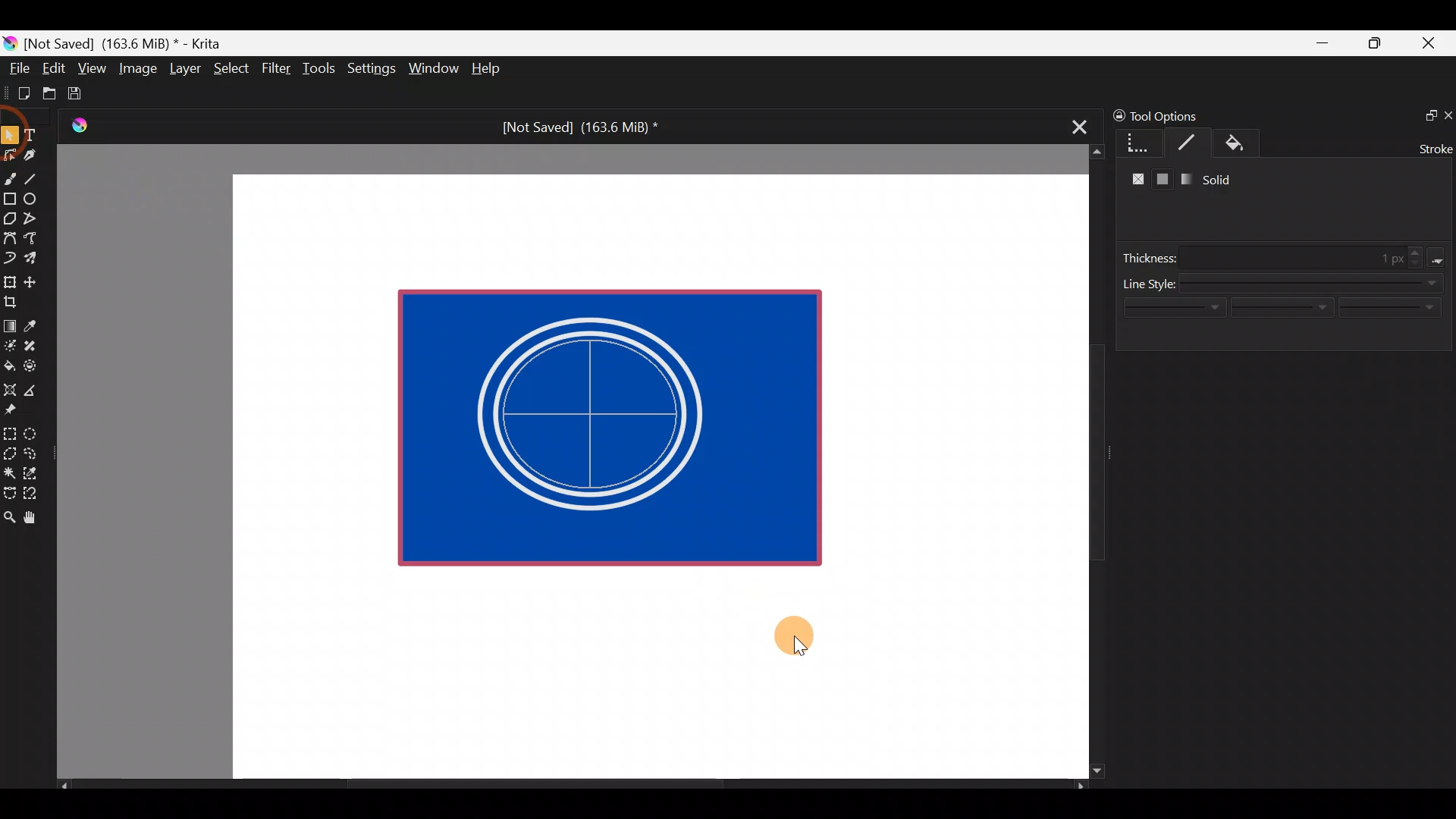  Describe the element at coordinates (1134, 180) in the screenshot. I see `No fill` at that location.